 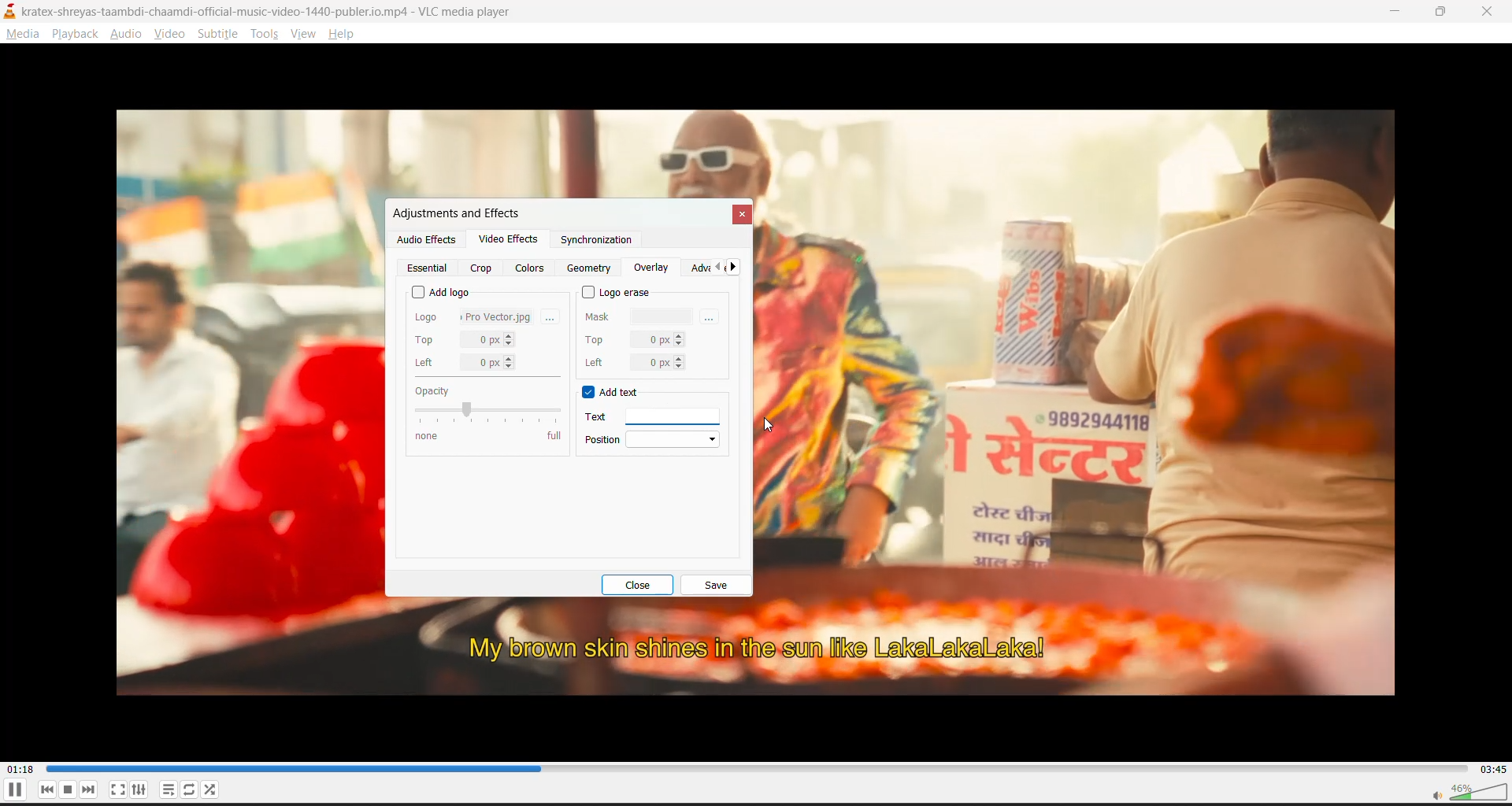 What do you see at coordinates (655, 438) in the screenshot?
I see `position` at bounding box center [655, 438].